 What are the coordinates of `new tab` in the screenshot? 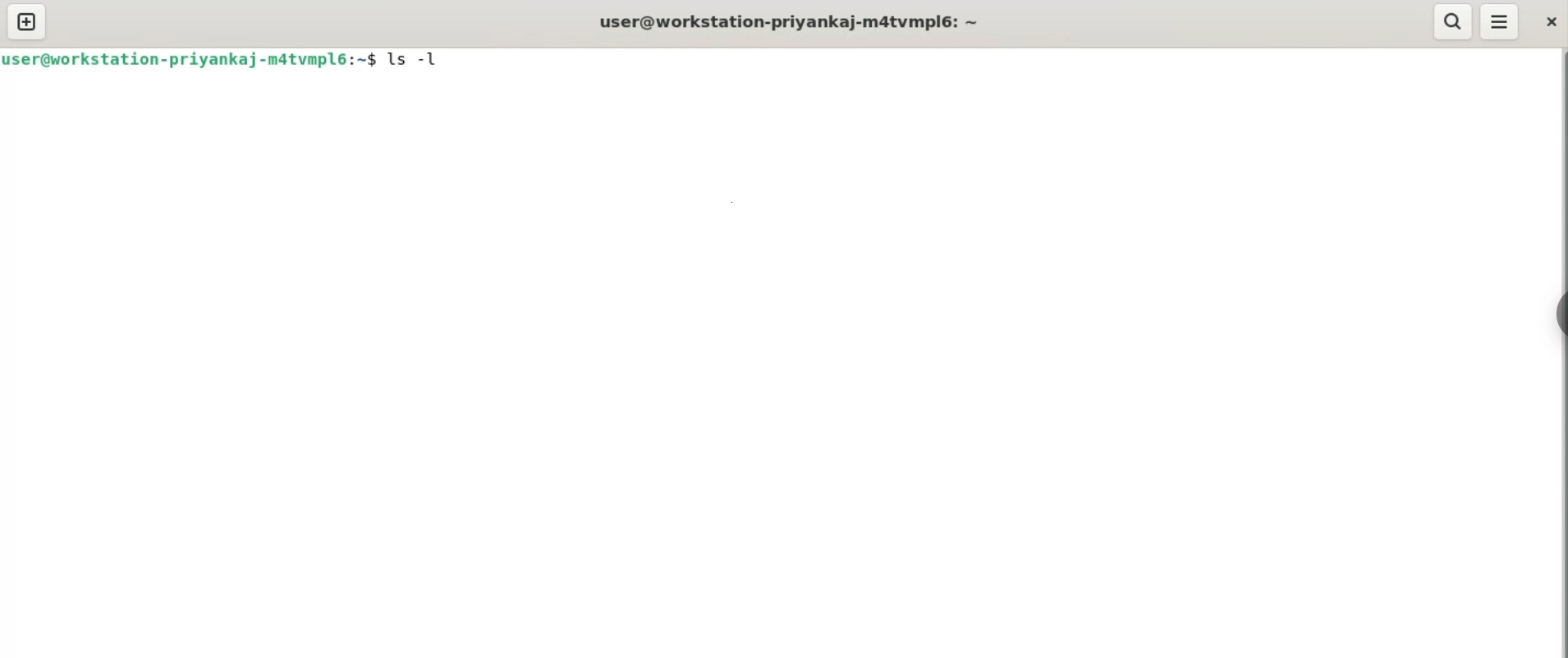 It's located at (25, 22).